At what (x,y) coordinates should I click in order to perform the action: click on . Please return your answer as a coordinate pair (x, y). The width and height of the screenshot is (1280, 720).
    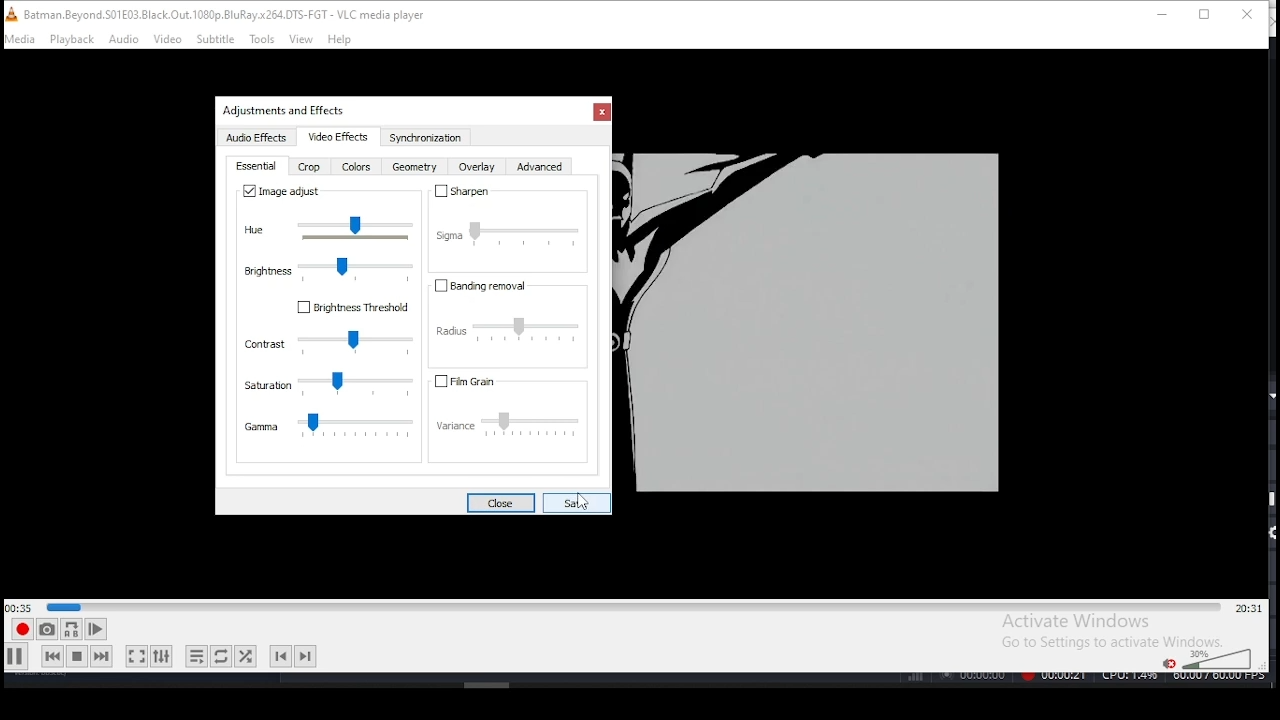
    Looking at the image, I should click on (1084, 679).